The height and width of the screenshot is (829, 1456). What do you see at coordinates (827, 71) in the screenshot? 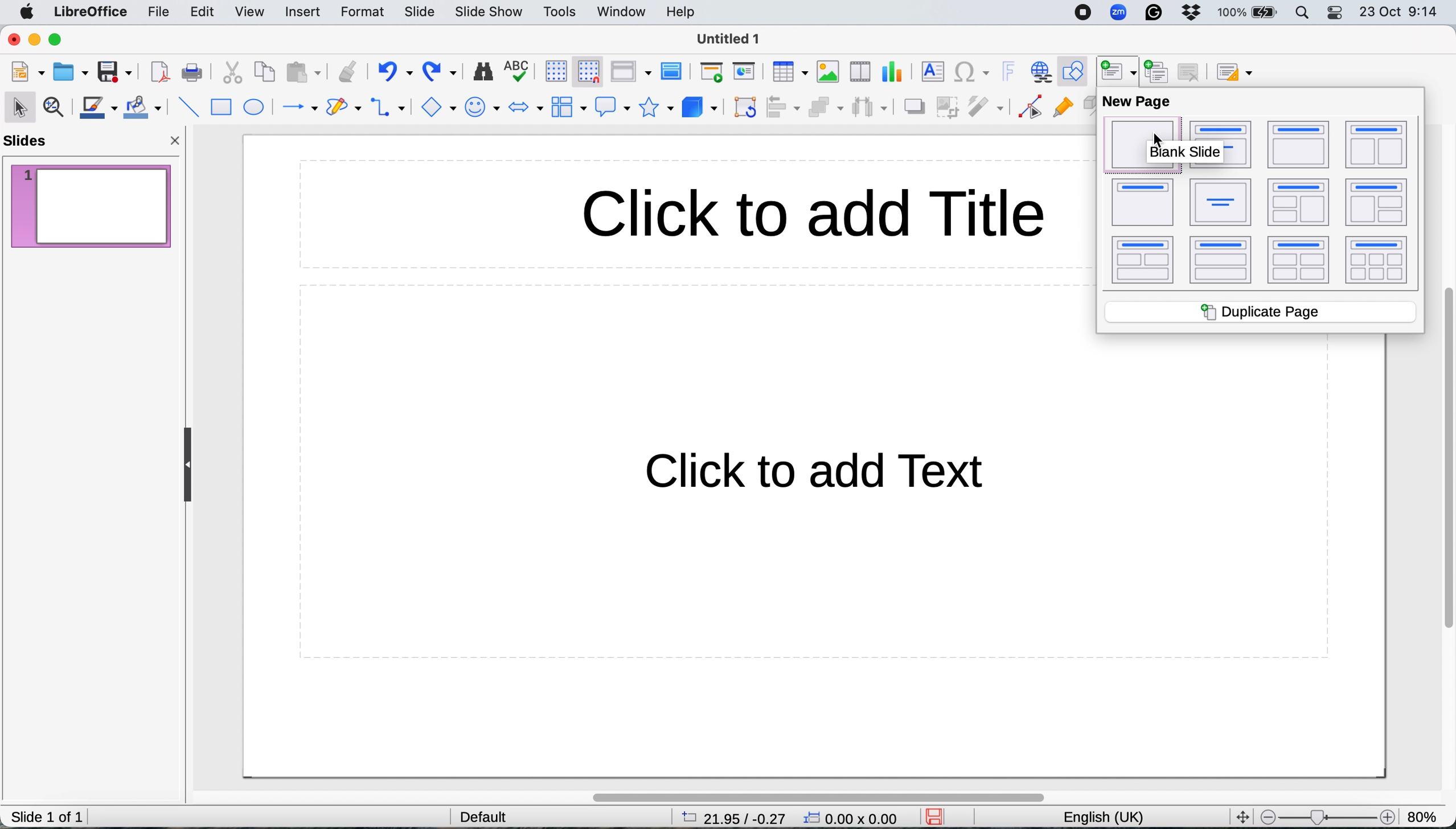
I see `insert image` at bounding box center [827, 71].